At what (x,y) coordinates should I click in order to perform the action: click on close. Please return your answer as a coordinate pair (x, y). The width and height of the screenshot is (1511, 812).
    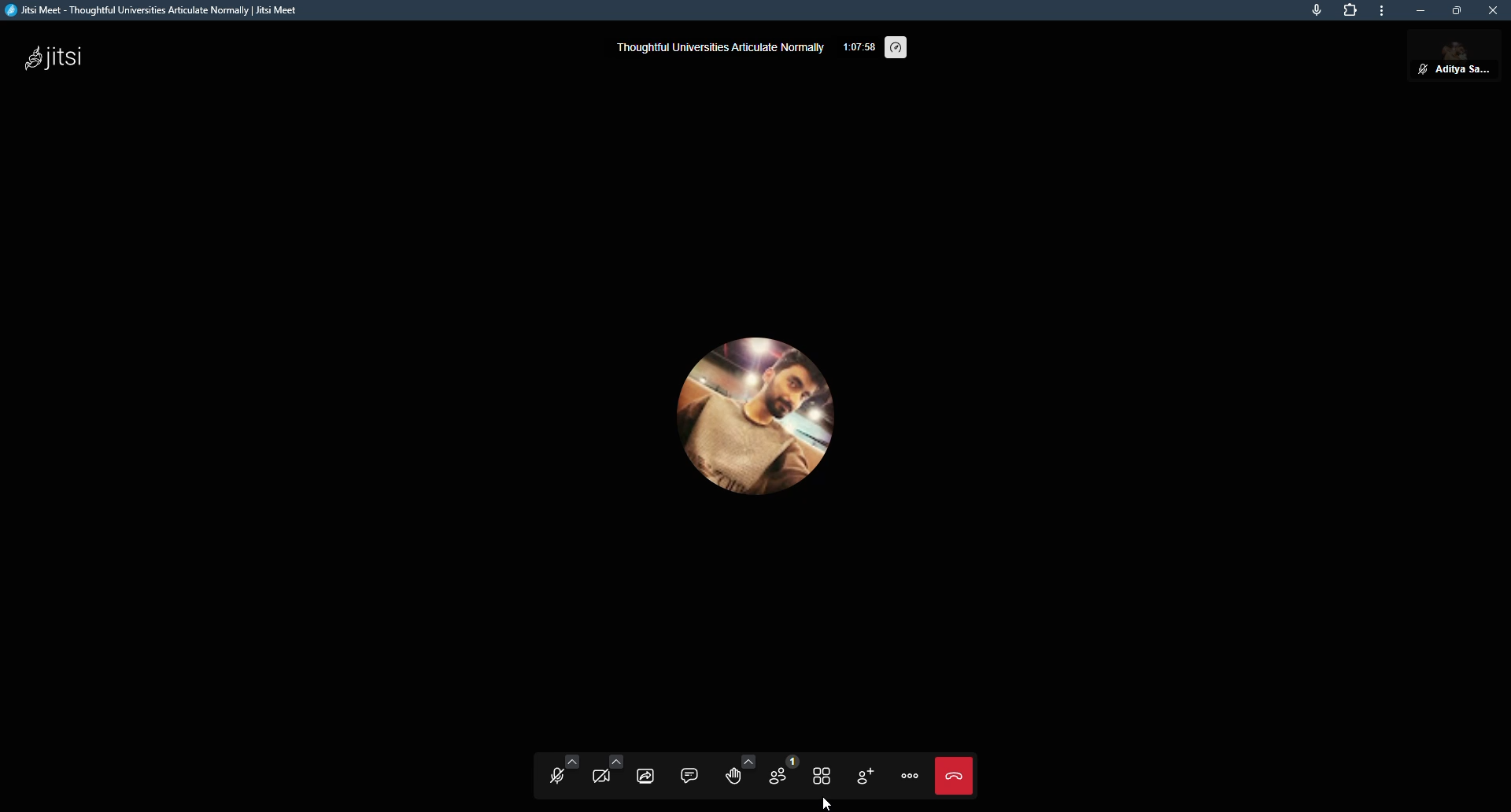
    Looking at the image, I should click on (1494, 11).